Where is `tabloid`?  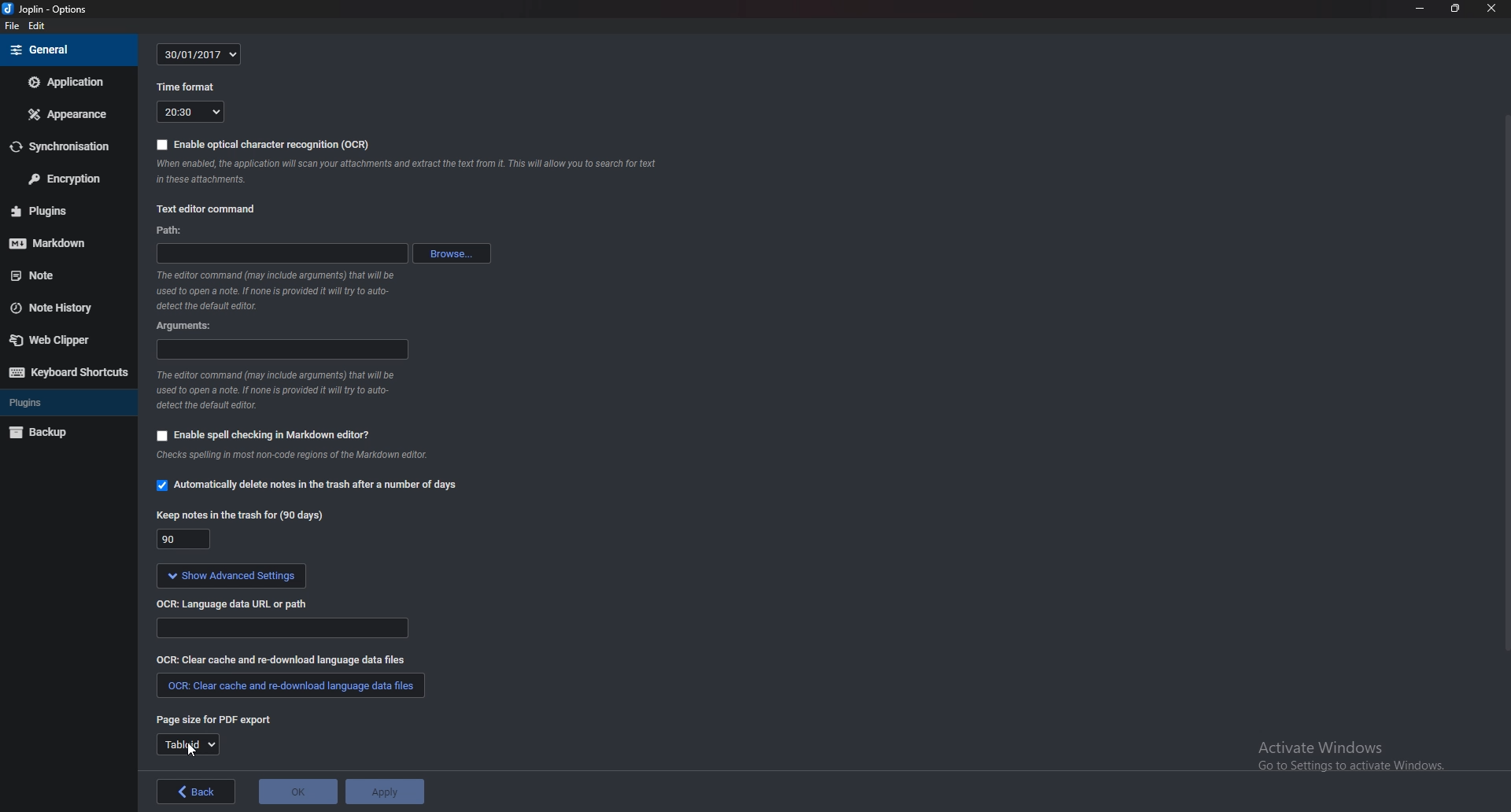
tabloid is located at coordinates (187, 744).